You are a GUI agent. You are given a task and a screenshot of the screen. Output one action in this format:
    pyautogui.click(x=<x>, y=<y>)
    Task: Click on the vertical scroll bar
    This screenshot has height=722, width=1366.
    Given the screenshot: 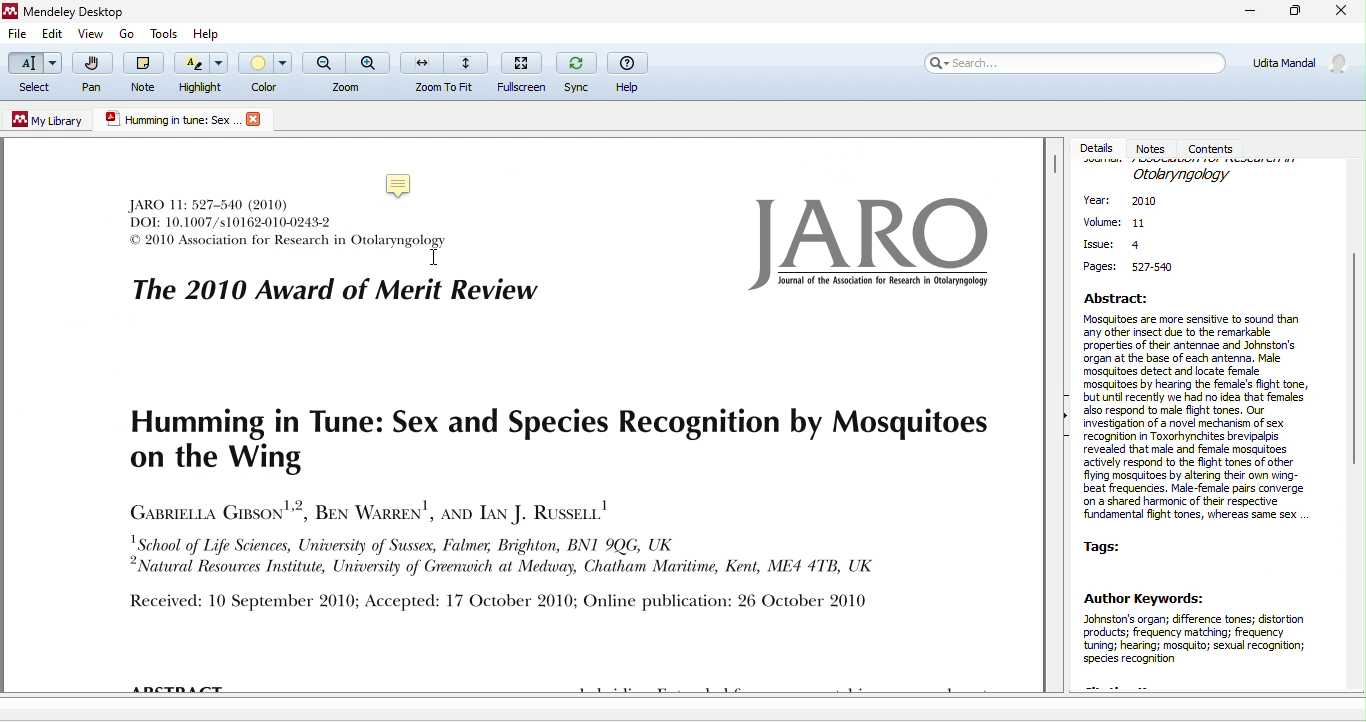 What is the action you would take?
    pyautogui.click(x=1054, y=168)
    